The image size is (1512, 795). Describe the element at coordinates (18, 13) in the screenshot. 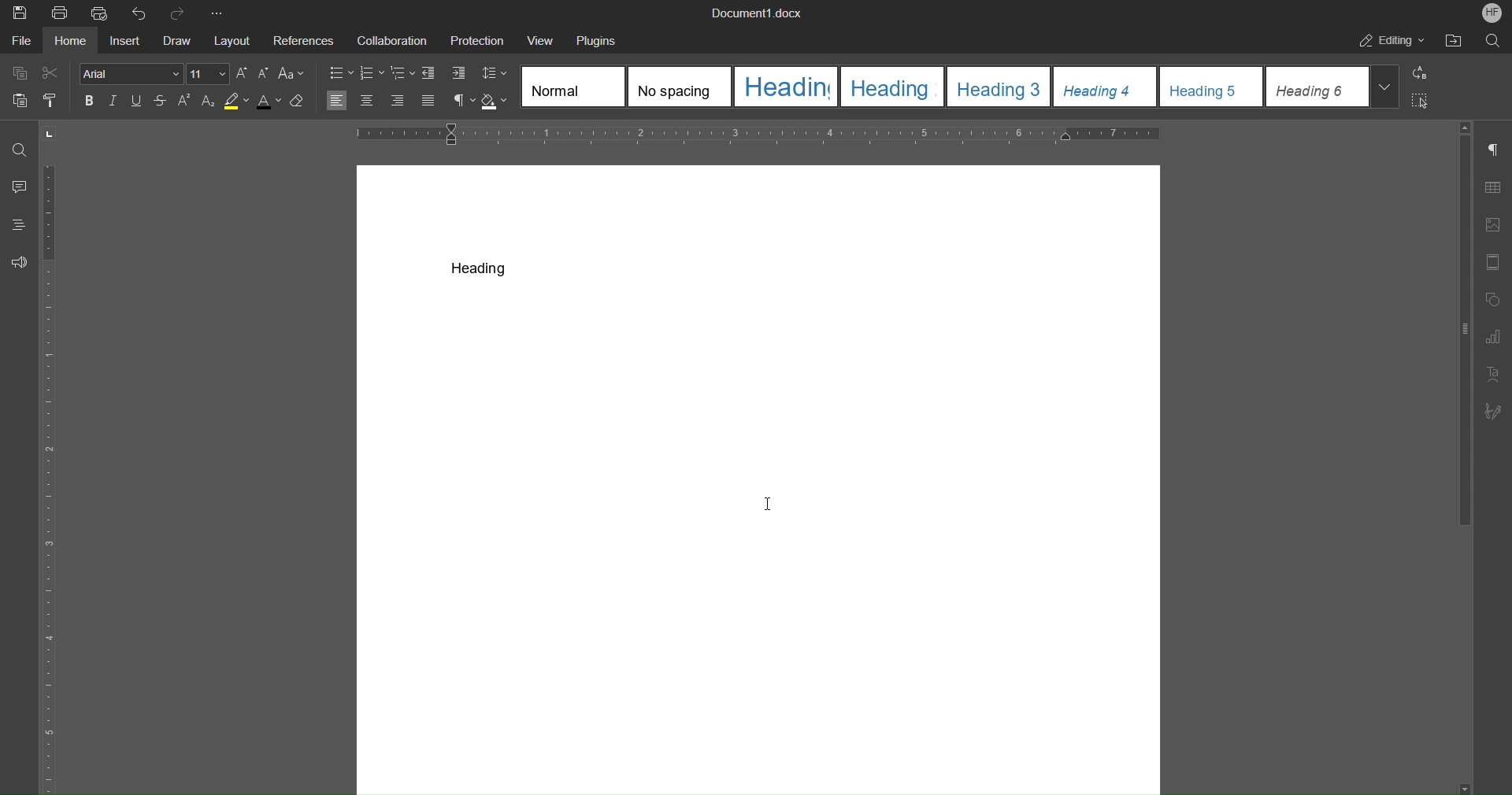

I see `New` at that location.